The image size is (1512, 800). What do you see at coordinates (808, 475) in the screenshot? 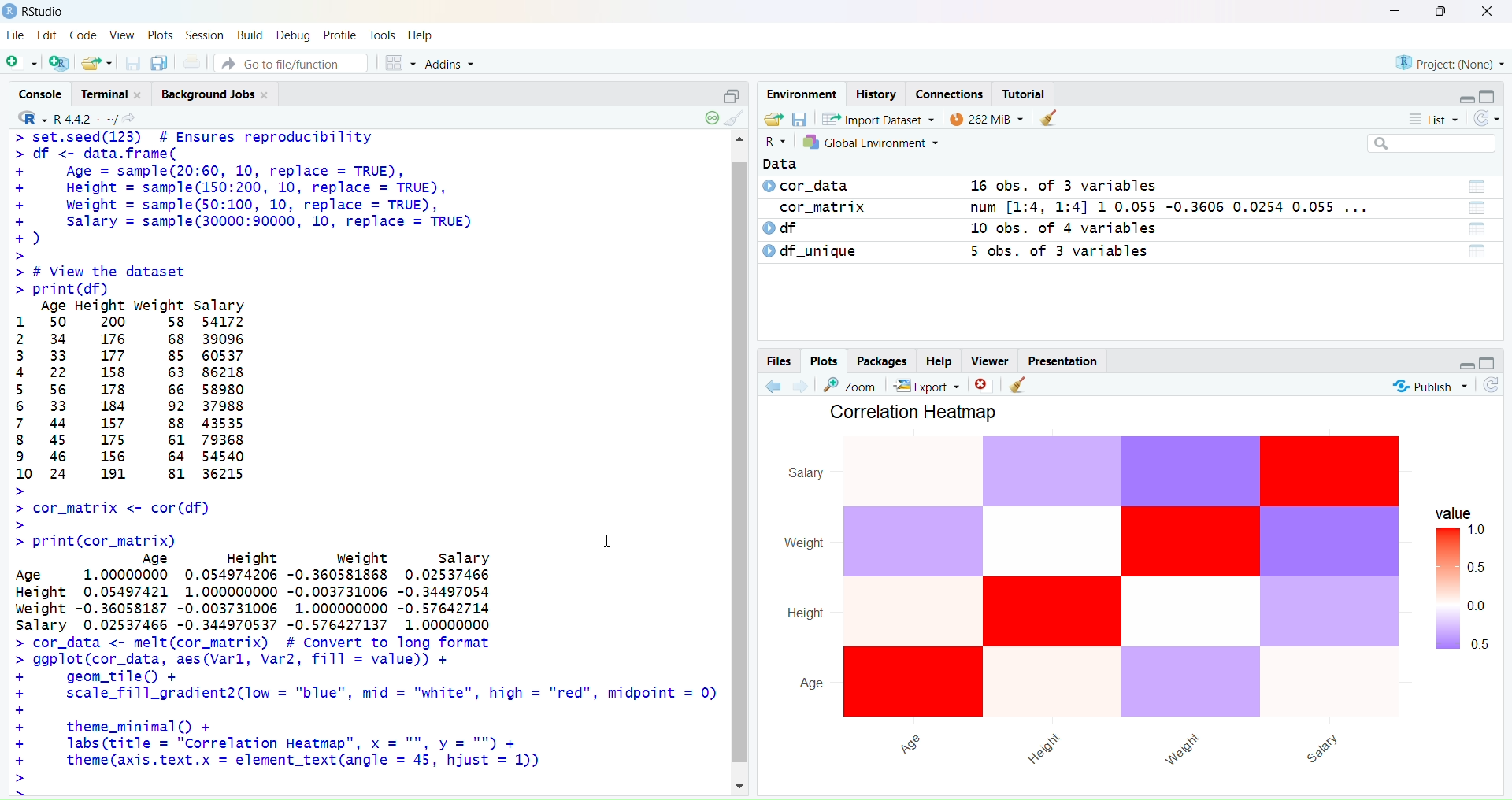
I see `Salary` at bounding box center [808, 475].